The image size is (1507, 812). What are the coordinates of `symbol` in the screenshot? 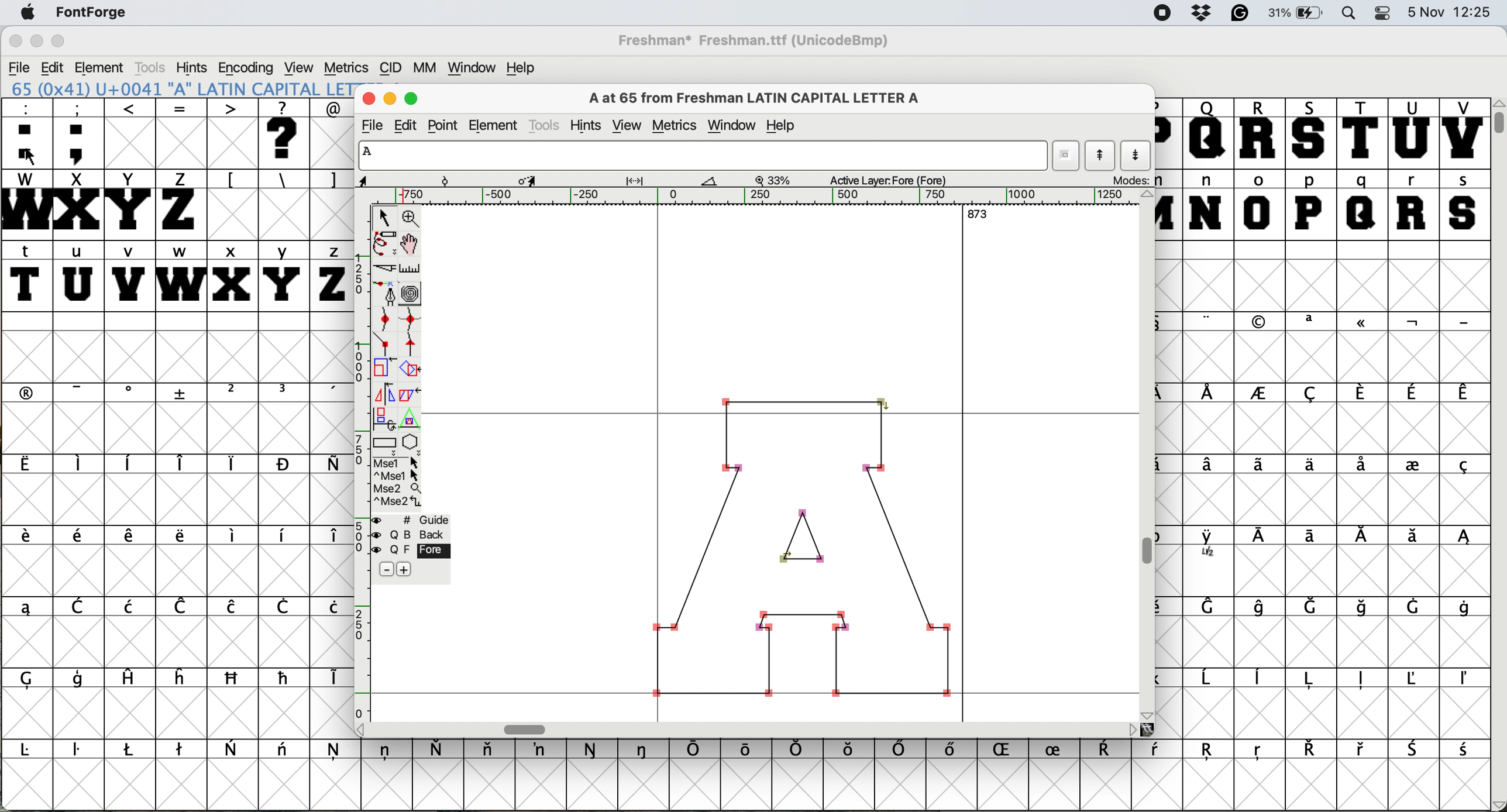 It's located at (1361, 679).